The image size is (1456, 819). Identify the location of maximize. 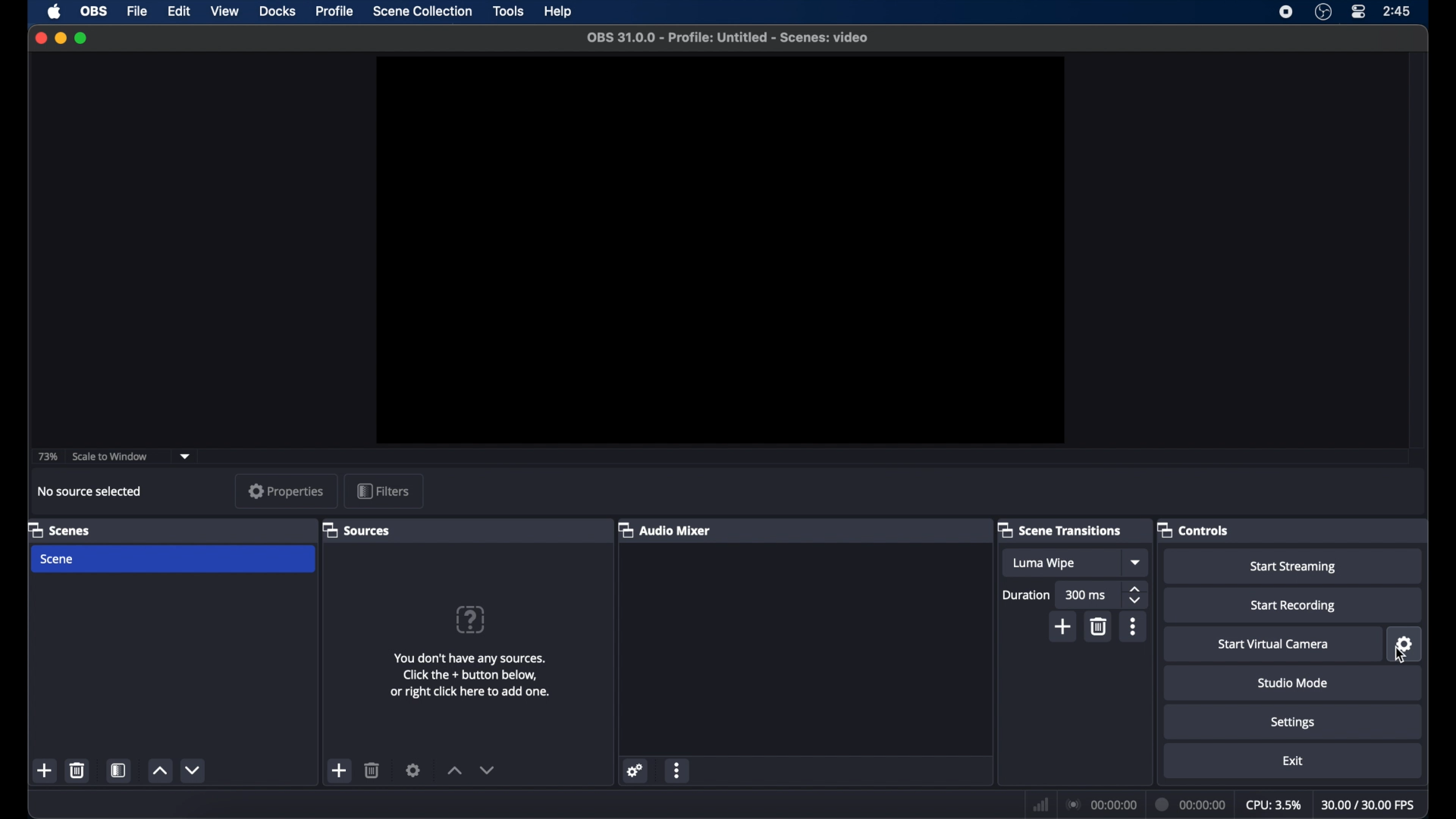
(83, 38).